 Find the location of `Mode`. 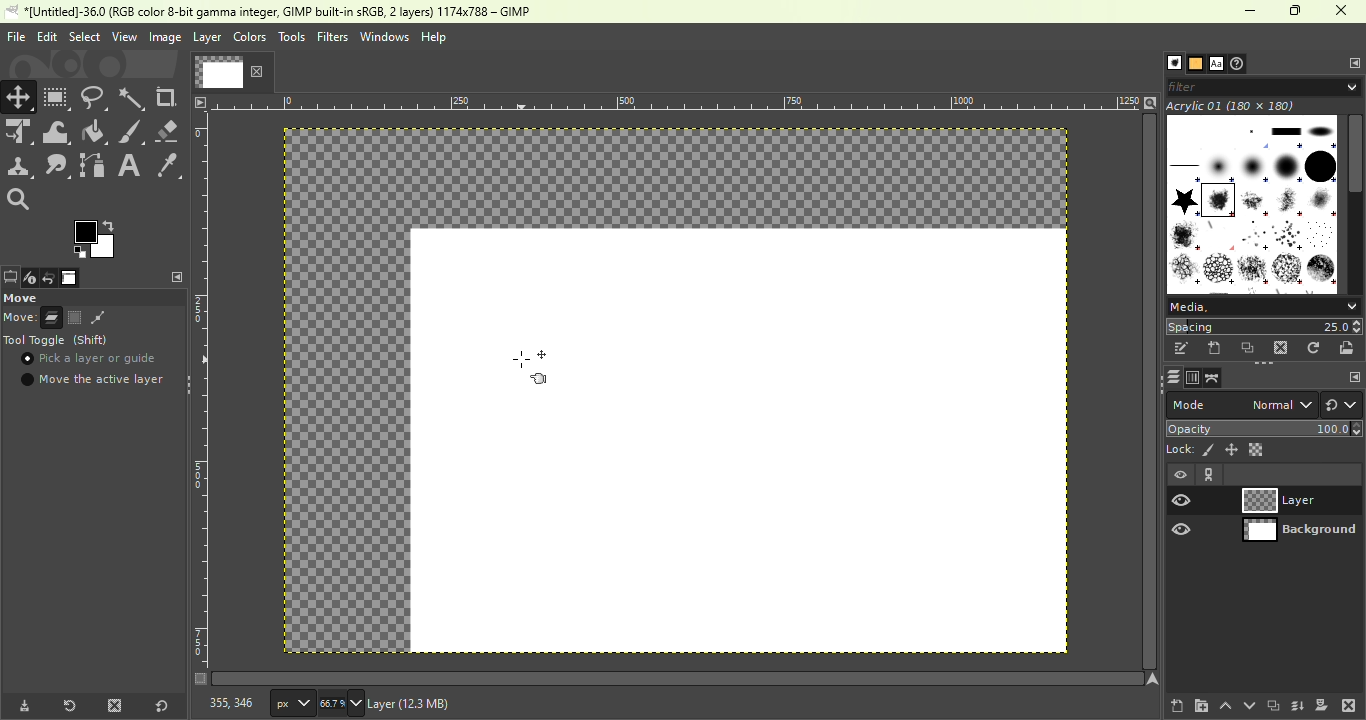

Mode is located at coordinates (1240, 405).